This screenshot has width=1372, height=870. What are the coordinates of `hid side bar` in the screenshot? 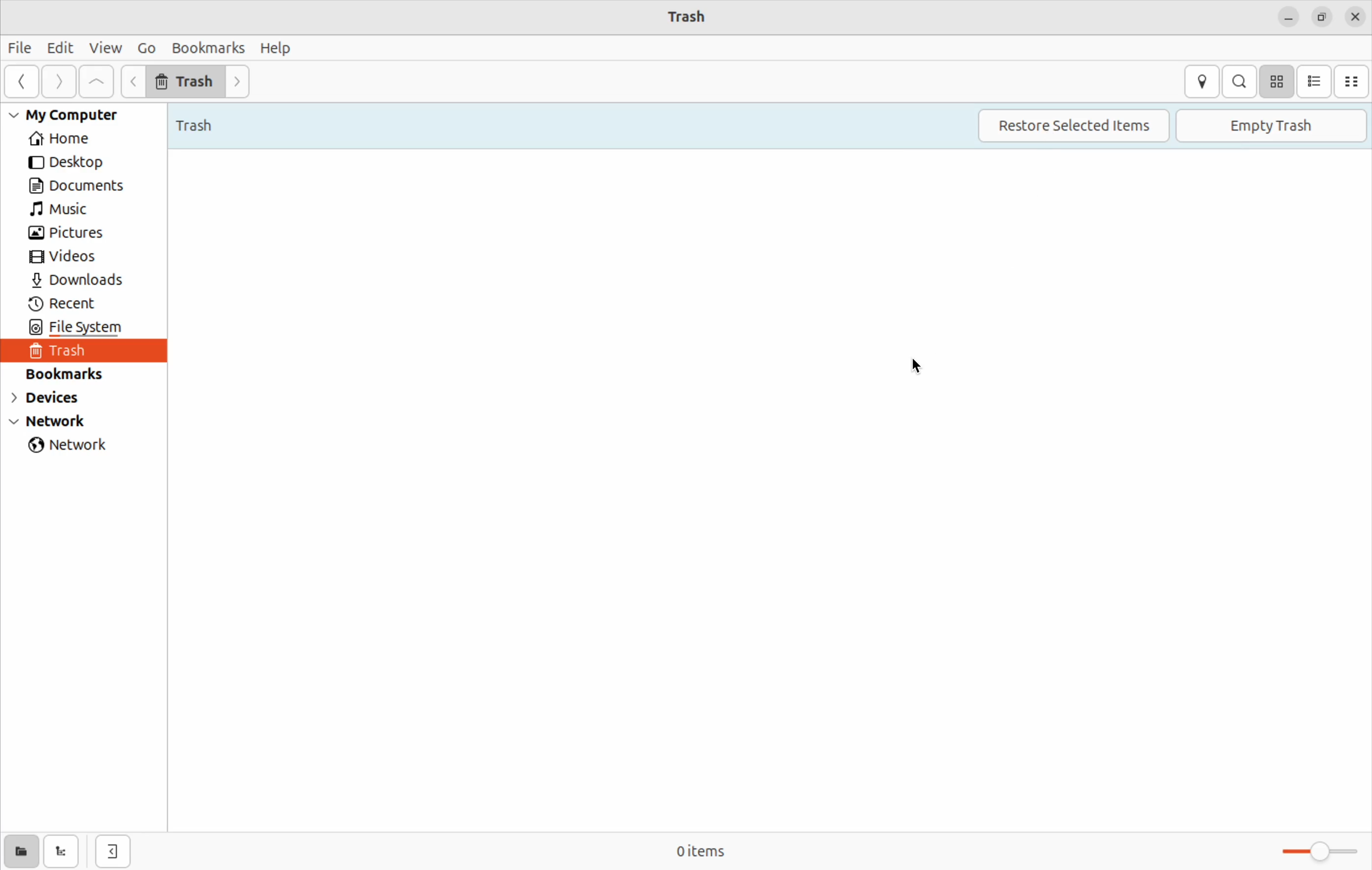 It's located at (113, 852).